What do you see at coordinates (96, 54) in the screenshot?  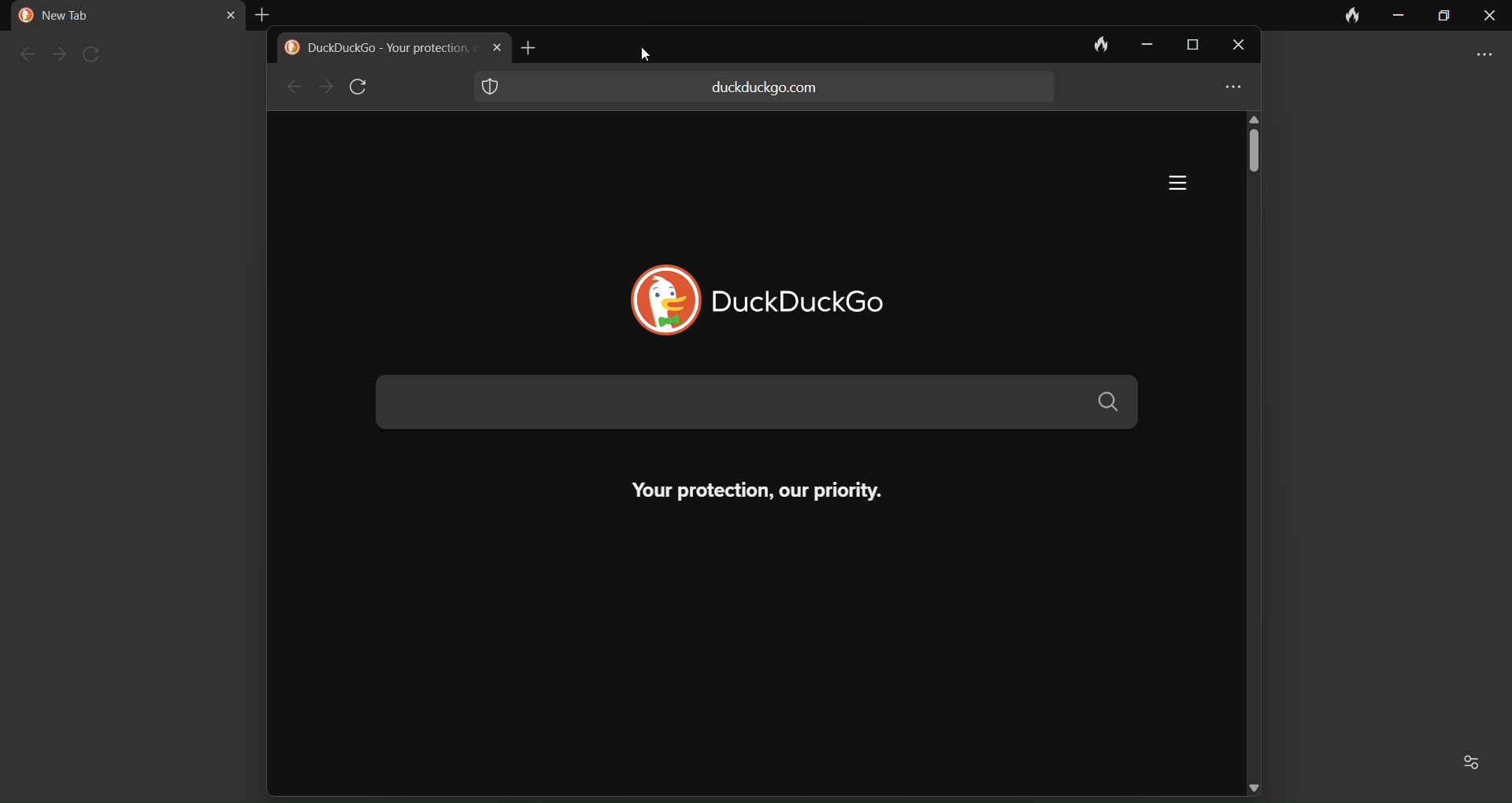 I see `refresh` at bounding box center [96, 54].